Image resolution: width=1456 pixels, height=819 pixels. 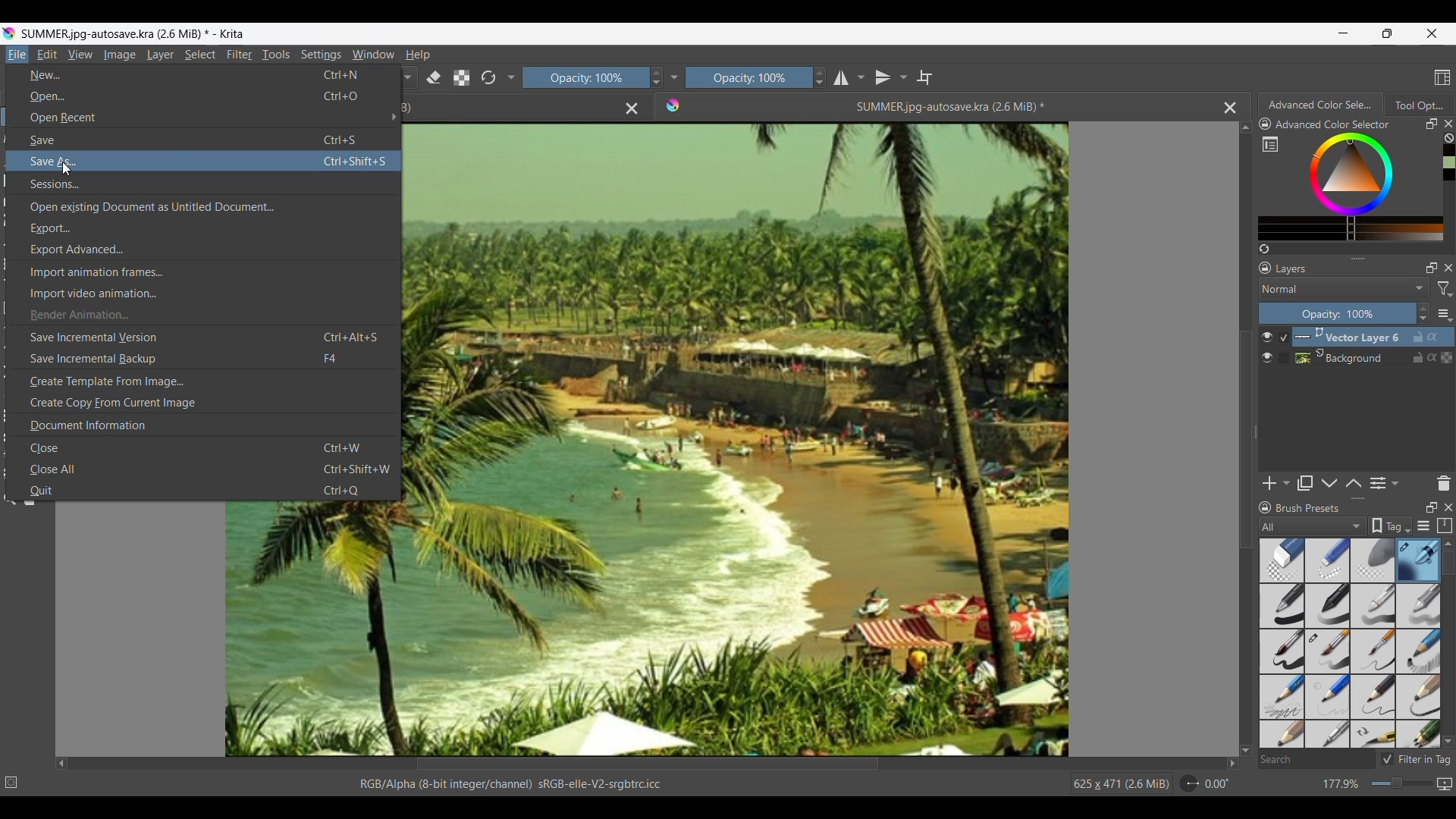 What do you see at coordinates (205, 140) in the screenshot?
I see `Save` at bounding box center [205, 140].